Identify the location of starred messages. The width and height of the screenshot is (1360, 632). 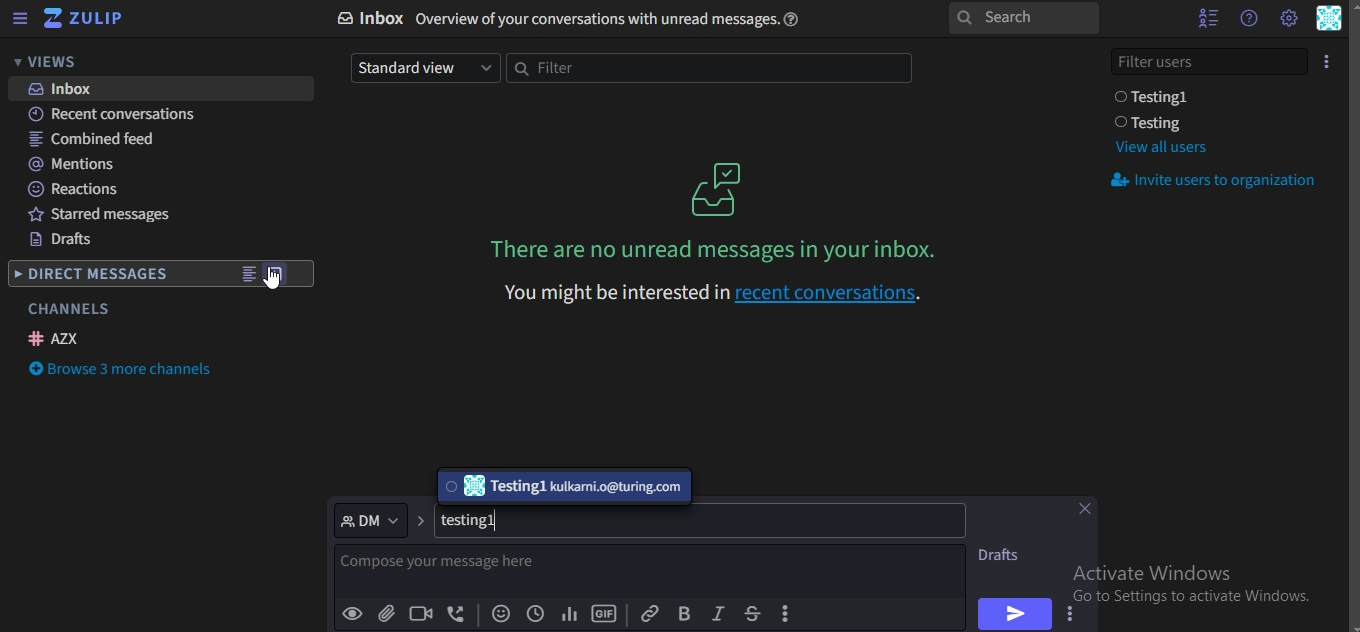
(108, 217).